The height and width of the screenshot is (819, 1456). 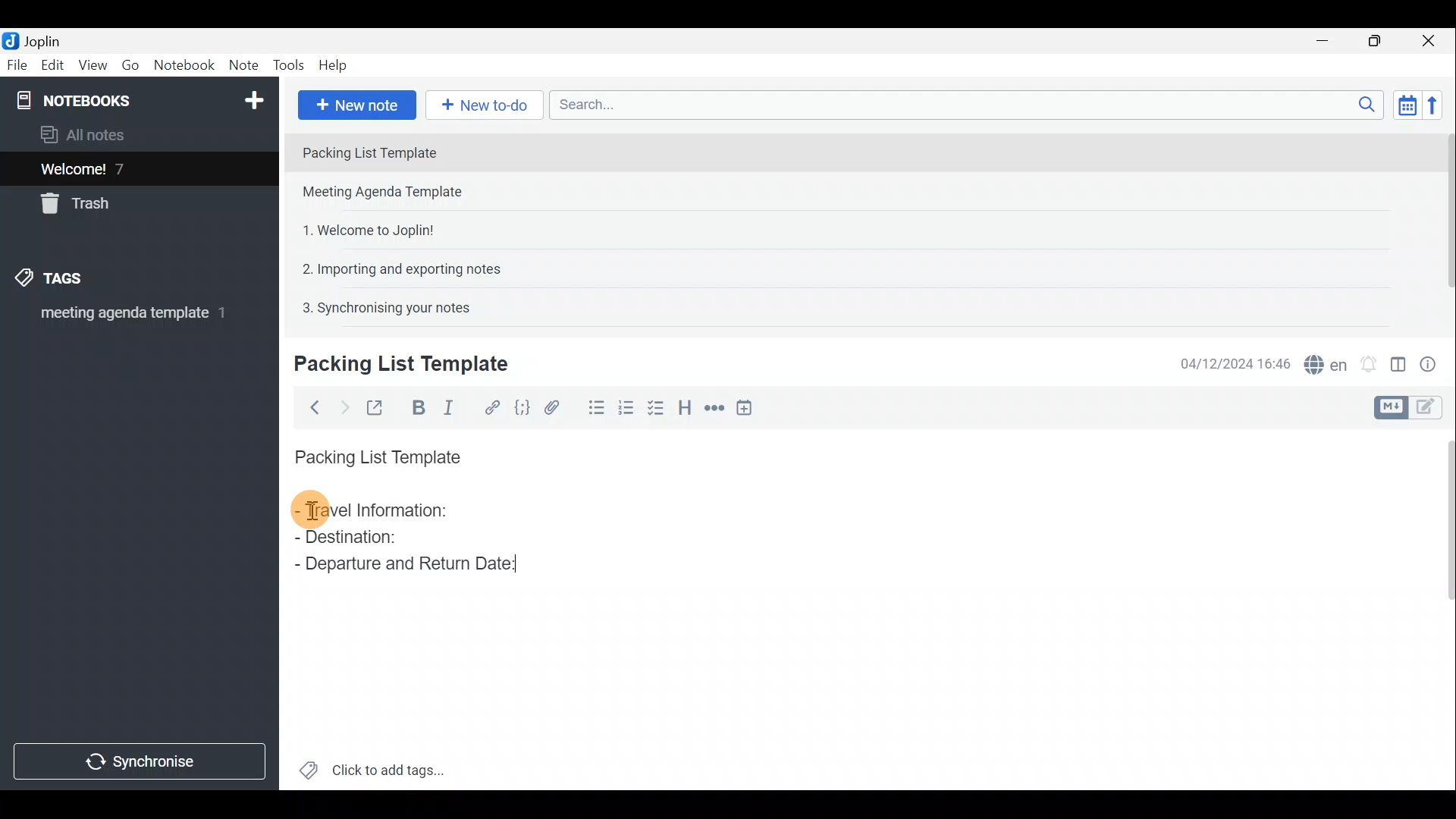 I want to click on Go, so click(x=131, y=65).